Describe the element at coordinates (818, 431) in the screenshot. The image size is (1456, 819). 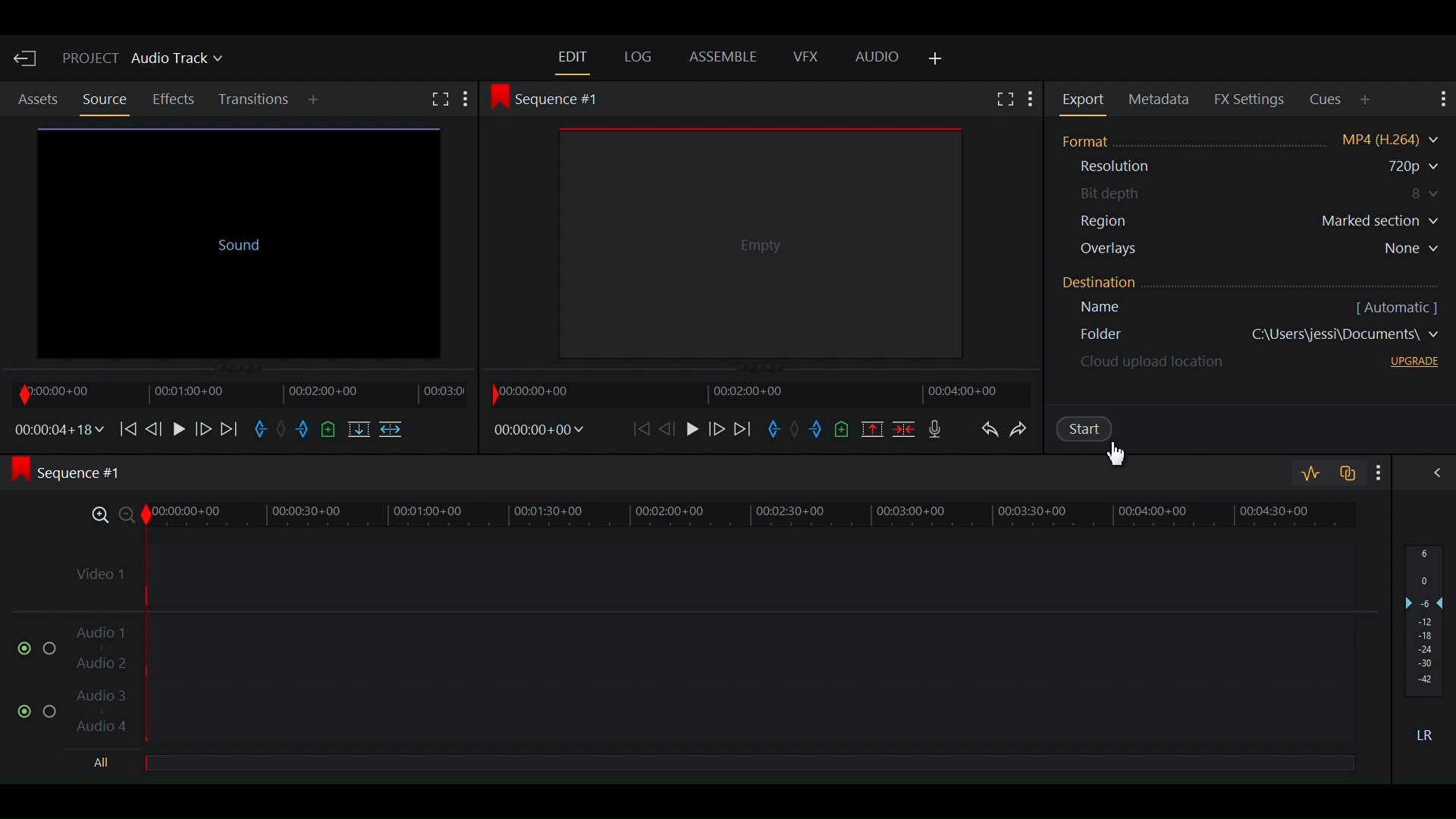
I see `Mark out` at that location.